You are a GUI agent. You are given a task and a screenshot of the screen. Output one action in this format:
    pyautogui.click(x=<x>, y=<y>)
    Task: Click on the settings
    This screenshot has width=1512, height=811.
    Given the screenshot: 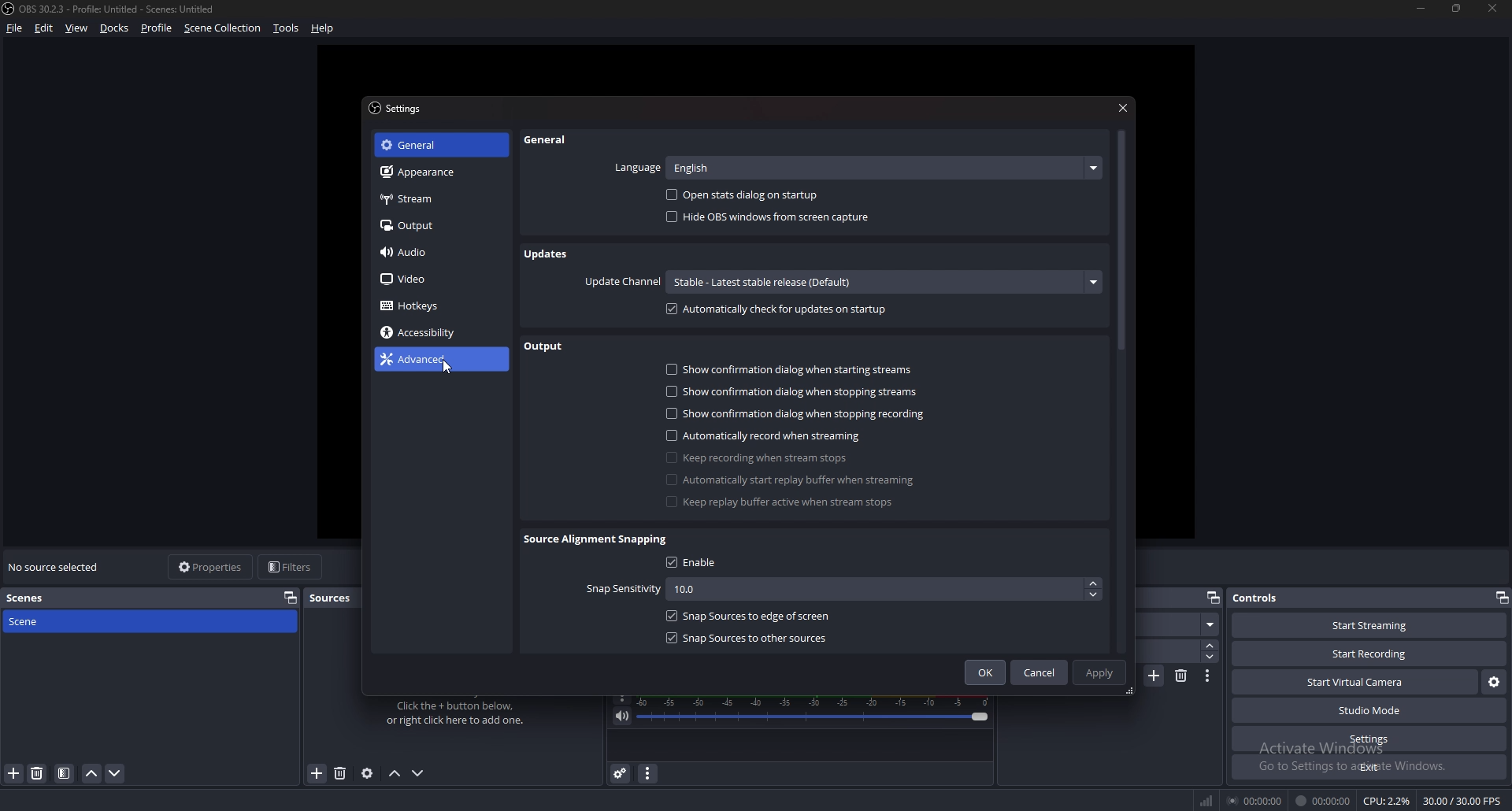 What is the action you would take?
    pyautogui.click(x=1369, y=739)
    